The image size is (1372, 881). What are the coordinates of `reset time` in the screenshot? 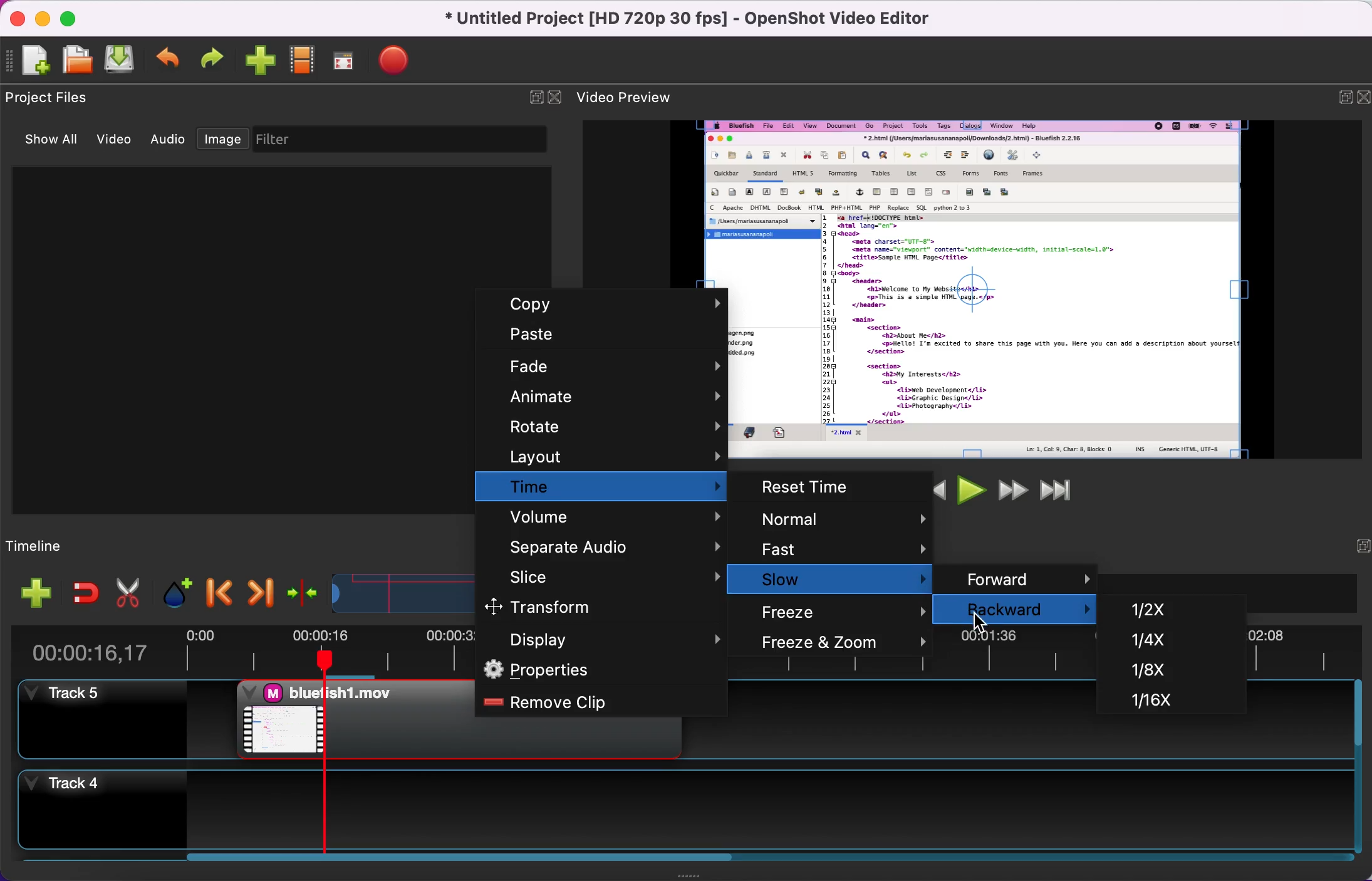 It's located at (842, 487).